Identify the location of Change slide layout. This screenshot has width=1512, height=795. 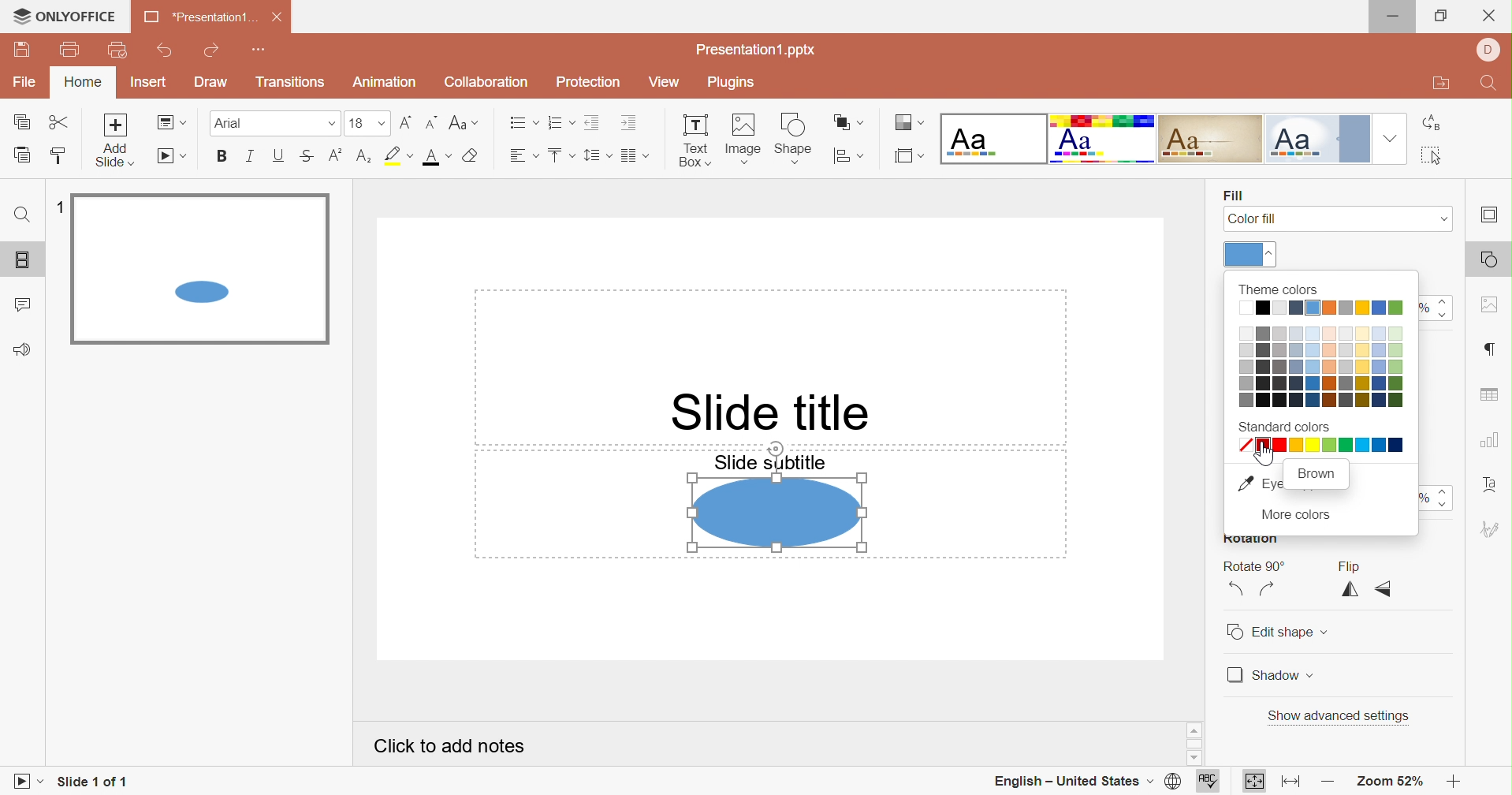
(171, 124).